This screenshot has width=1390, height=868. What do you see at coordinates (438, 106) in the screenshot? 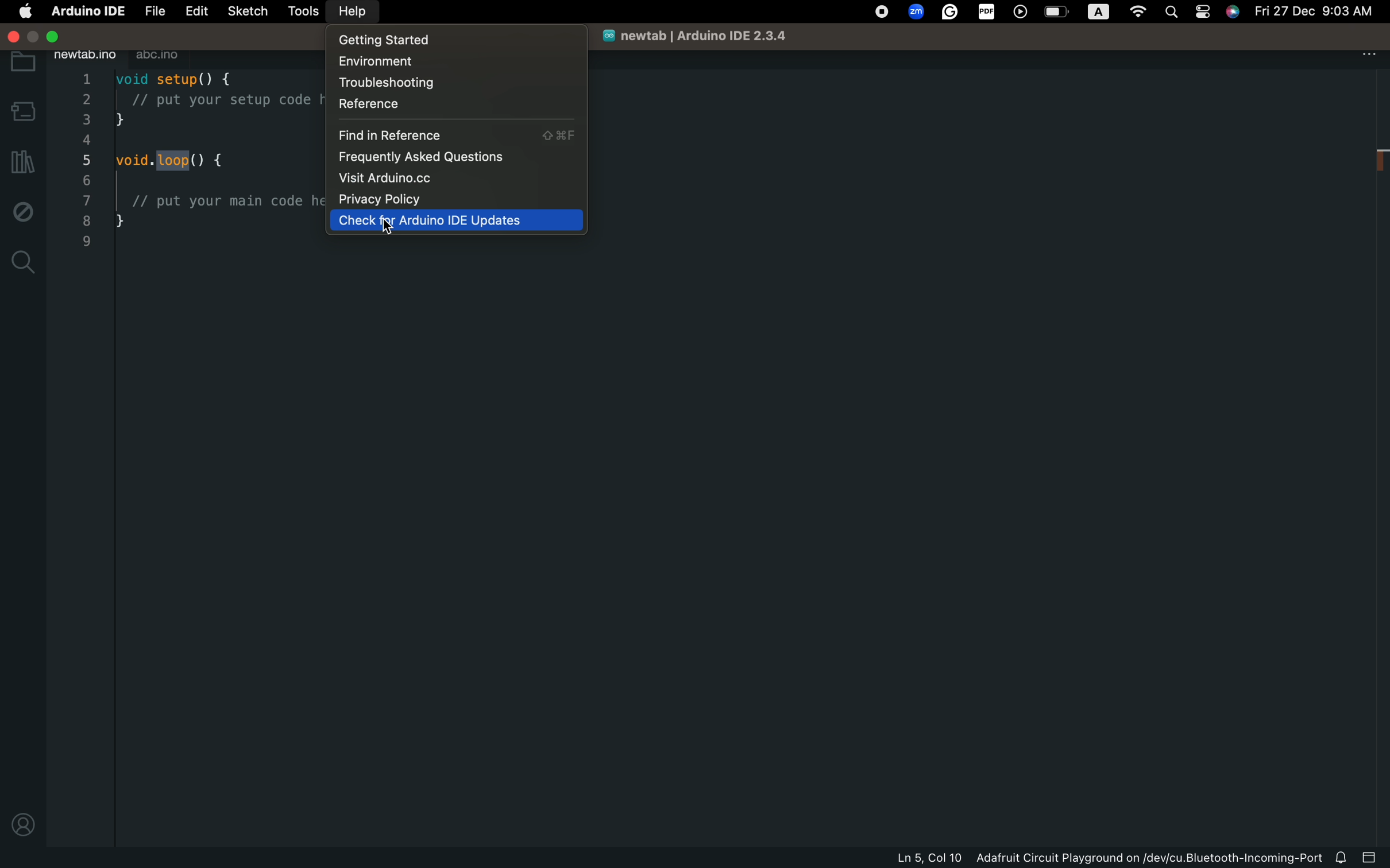
I see `refernce` at bounding box center [438, 106].